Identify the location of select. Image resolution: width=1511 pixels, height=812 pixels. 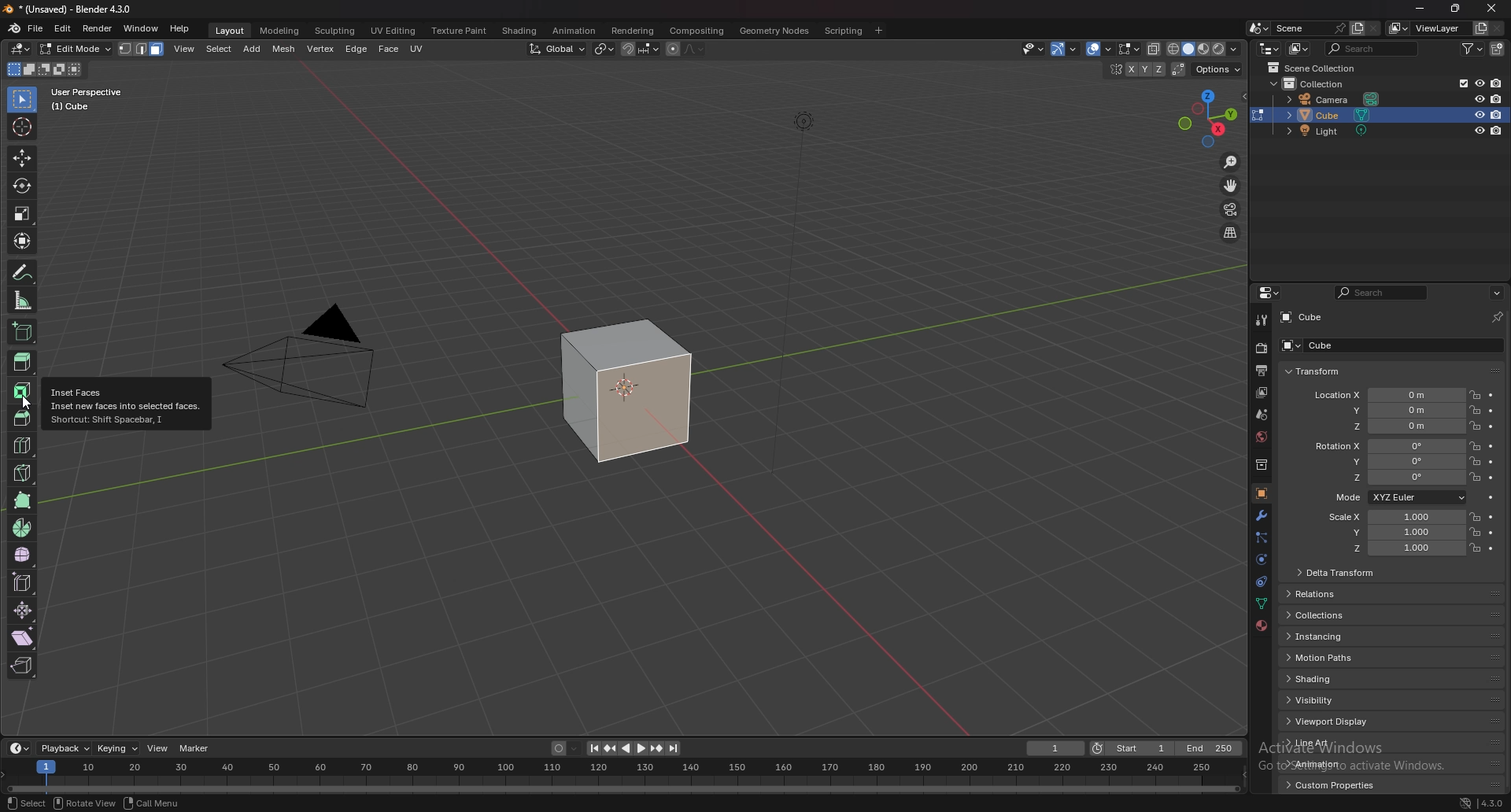
(27, 803).